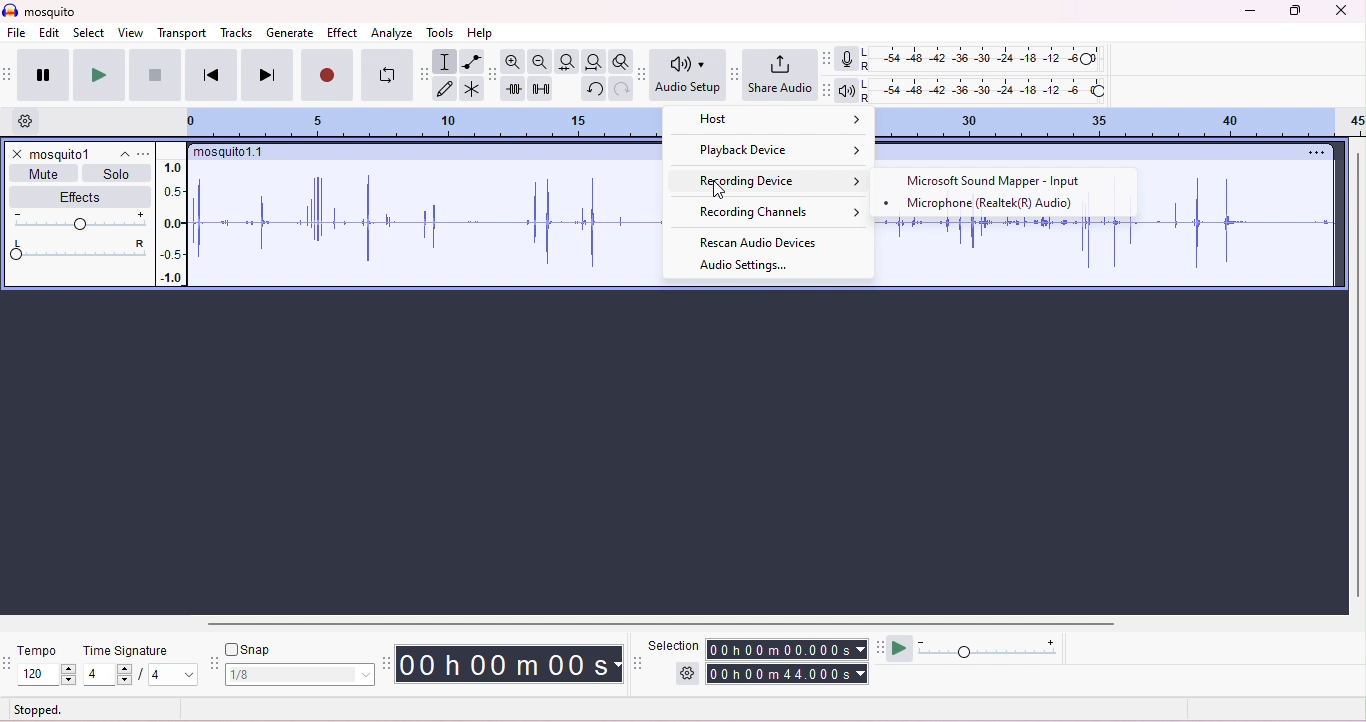 The image size is (1366, 722). What do you see at coordinates (1340, 11) in the screenshot?
I see `close` at bounding box center [1340, 11].